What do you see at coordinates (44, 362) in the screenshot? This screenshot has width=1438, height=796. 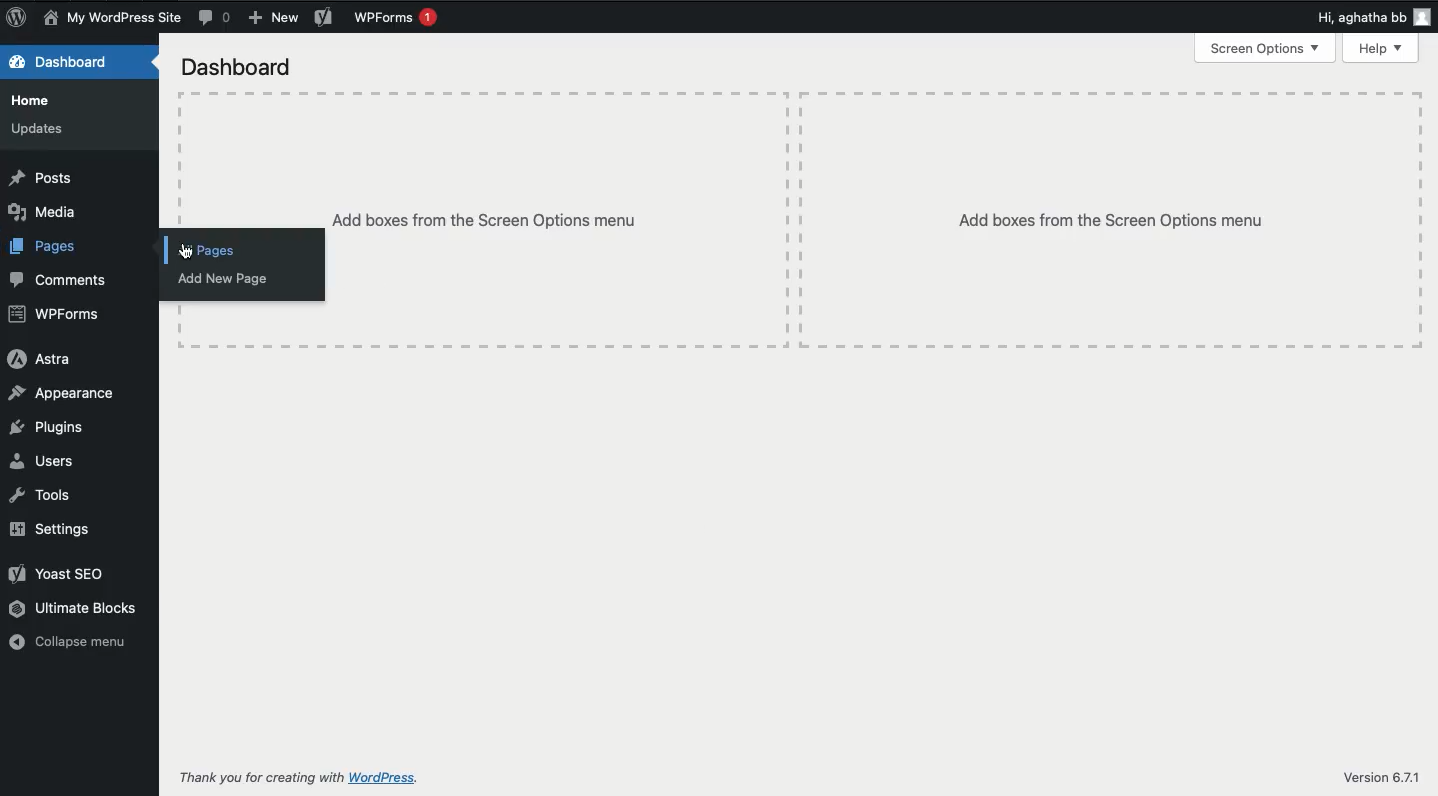 I see `Astra` at bounding box center [44, 362].